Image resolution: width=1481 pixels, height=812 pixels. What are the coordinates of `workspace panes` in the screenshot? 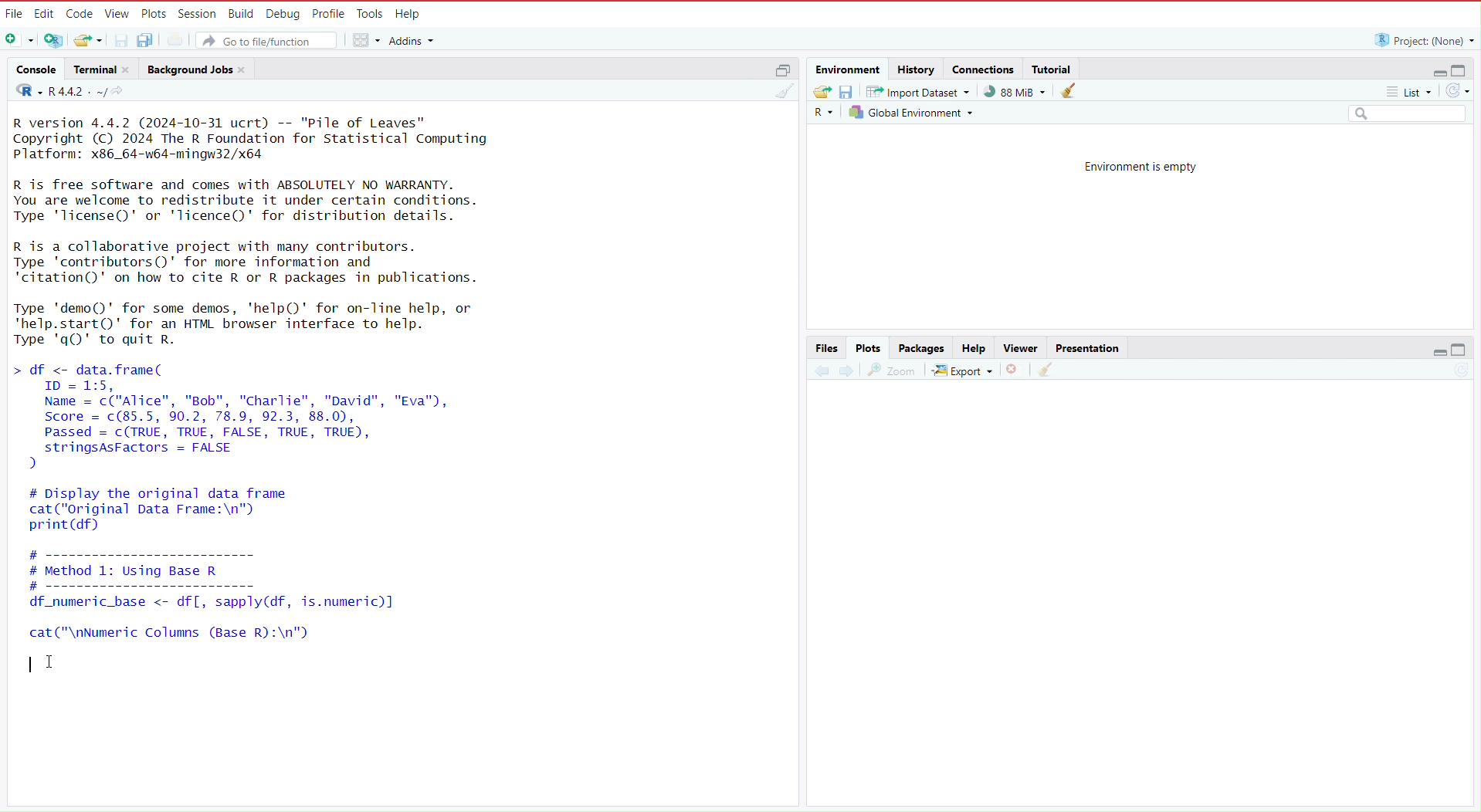 It's located at (366, 40).